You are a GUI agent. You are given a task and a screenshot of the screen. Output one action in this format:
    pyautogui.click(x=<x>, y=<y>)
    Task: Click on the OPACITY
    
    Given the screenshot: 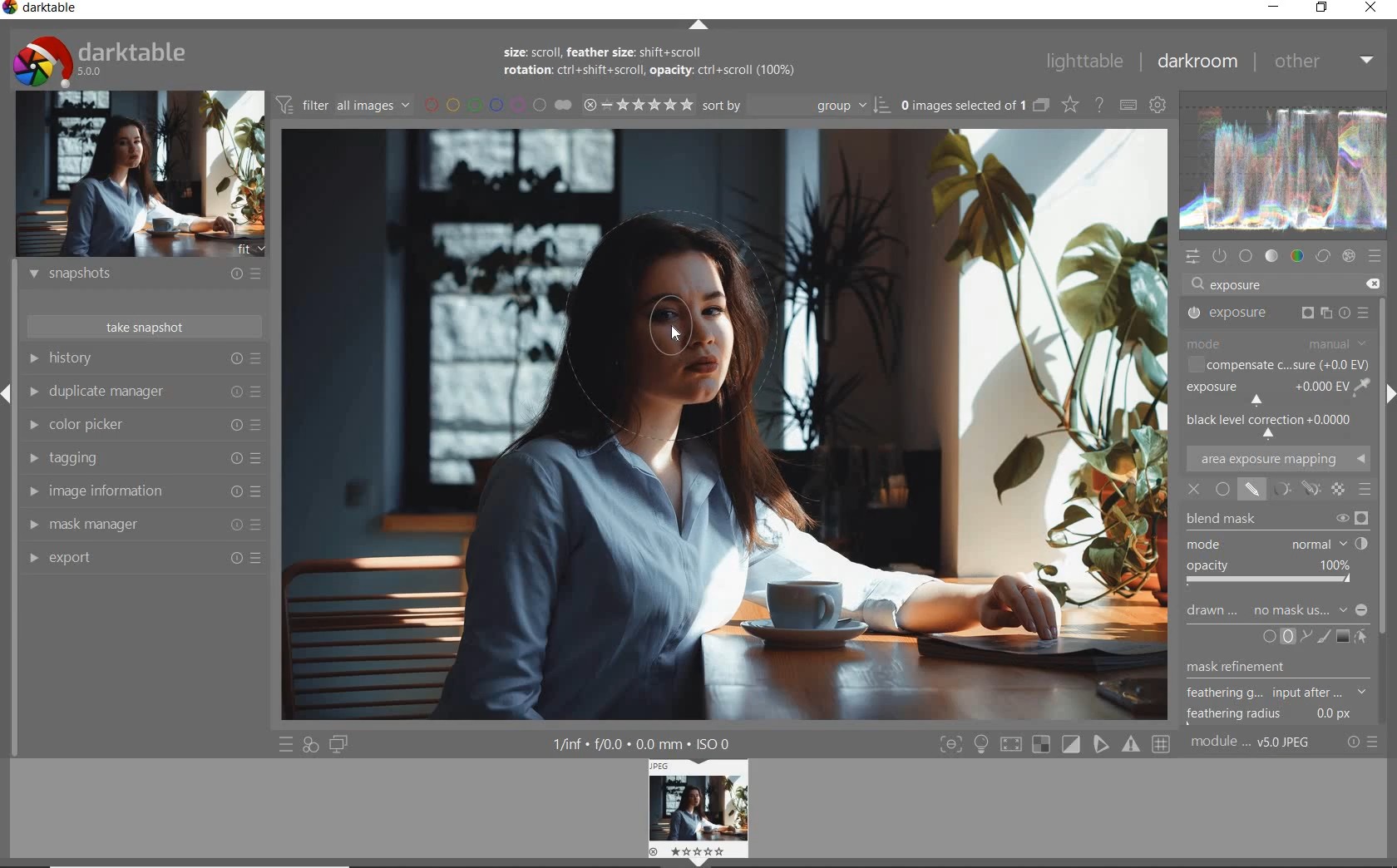 What is the action you would take?
    pyautogui.click(x=1273, y=574)
    